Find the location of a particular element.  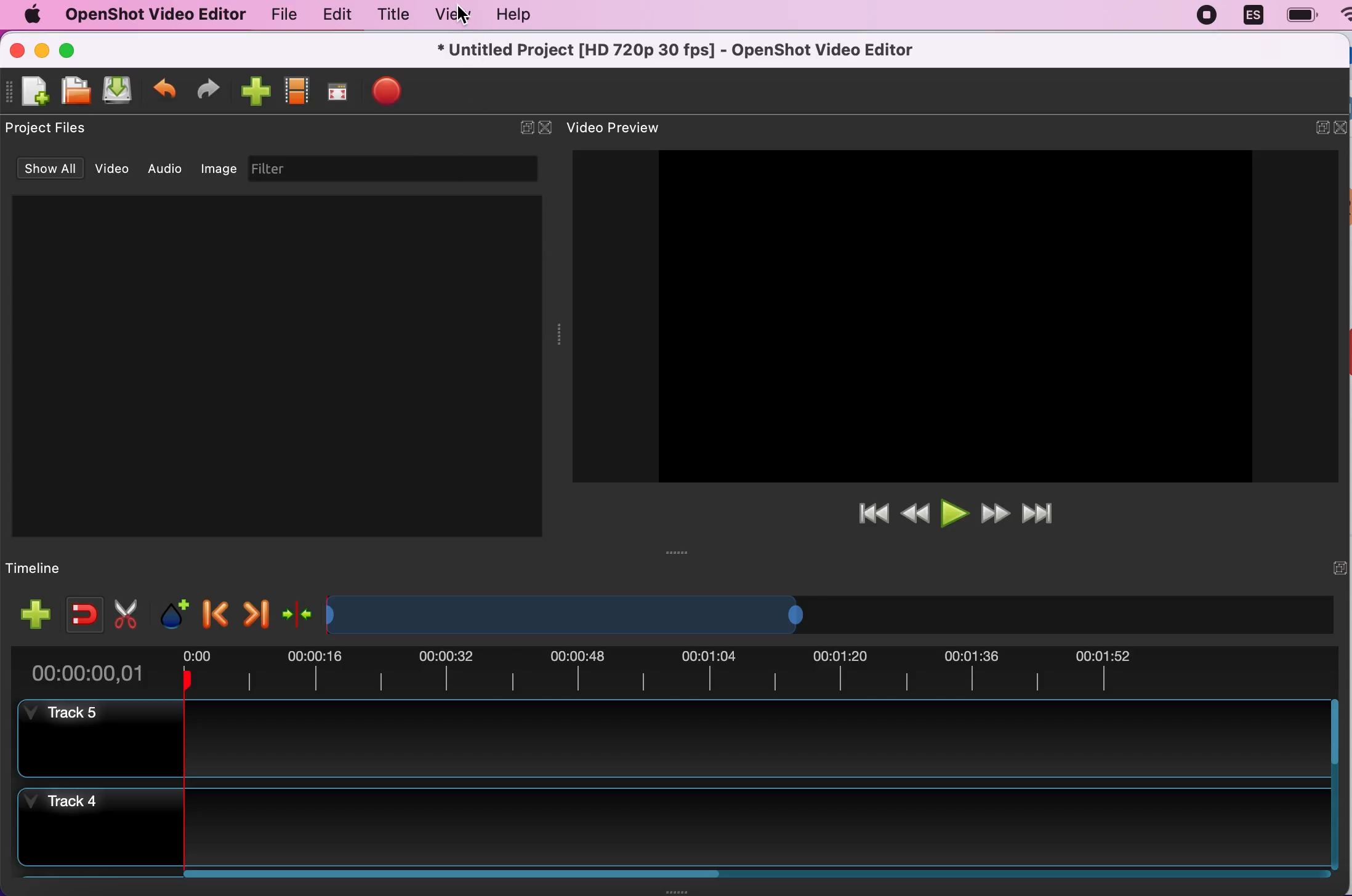

redo is located at coordinates (209, 89).